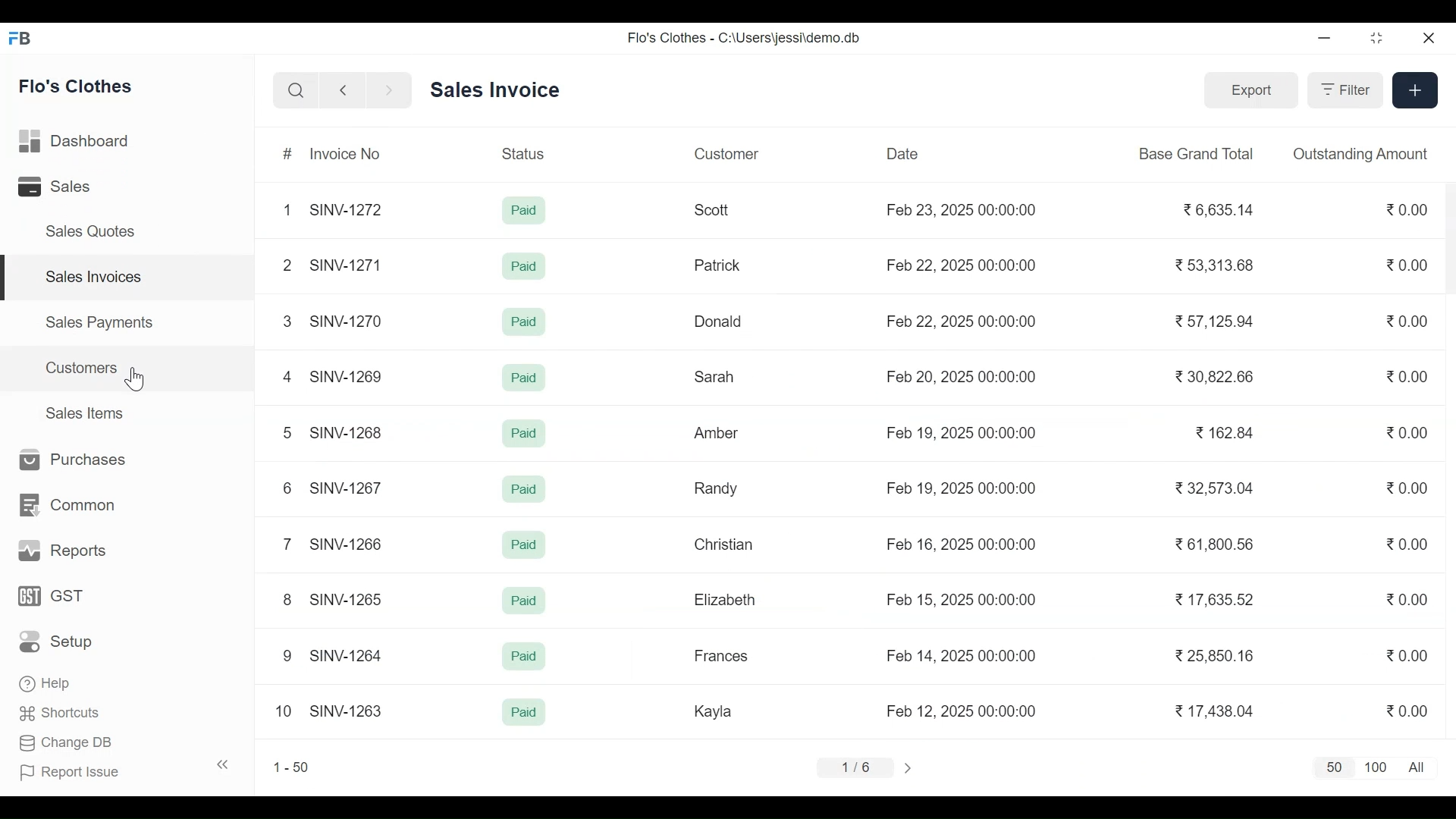 The height and width of the screenshot is (819, 1456). Describe the element at coordinates (1372, 38) in the screenshot. I see `Restore` at that location.